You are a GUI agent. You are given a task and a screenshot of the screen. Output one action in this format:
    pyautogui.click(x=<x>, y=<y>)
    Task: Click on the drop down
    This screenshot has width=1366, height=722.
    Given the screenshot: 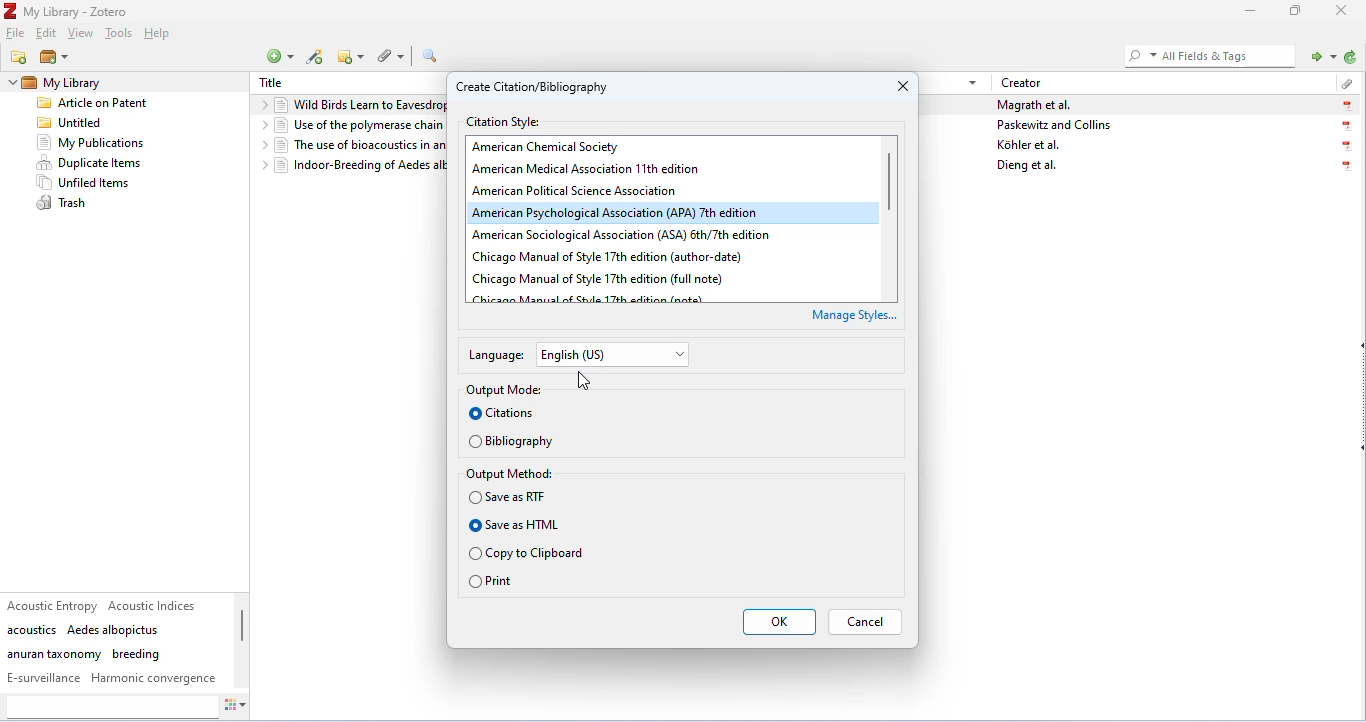 What is the action you would take?
    pyautogui.click(x=262, y=143)
    